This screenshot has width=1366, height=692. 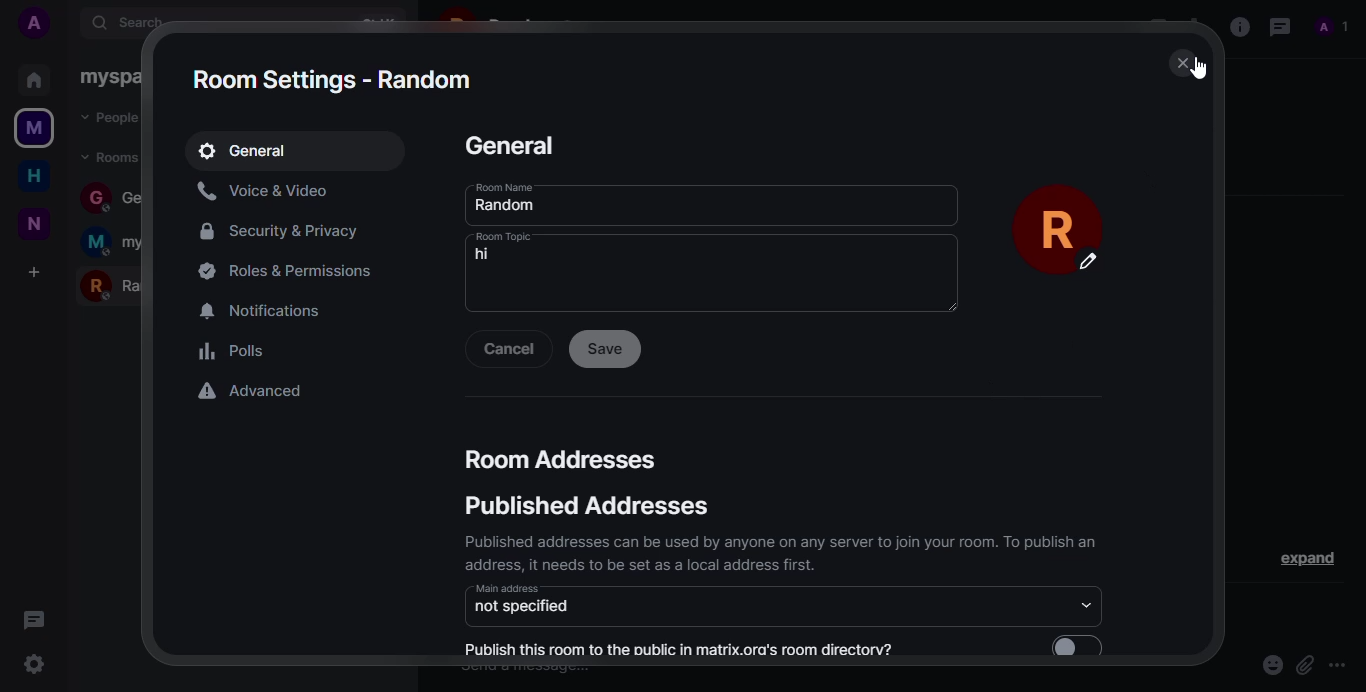 What do you see at coordinates (606, 350) in the screenshot?
I see `save` at bounding box center [606, 350].